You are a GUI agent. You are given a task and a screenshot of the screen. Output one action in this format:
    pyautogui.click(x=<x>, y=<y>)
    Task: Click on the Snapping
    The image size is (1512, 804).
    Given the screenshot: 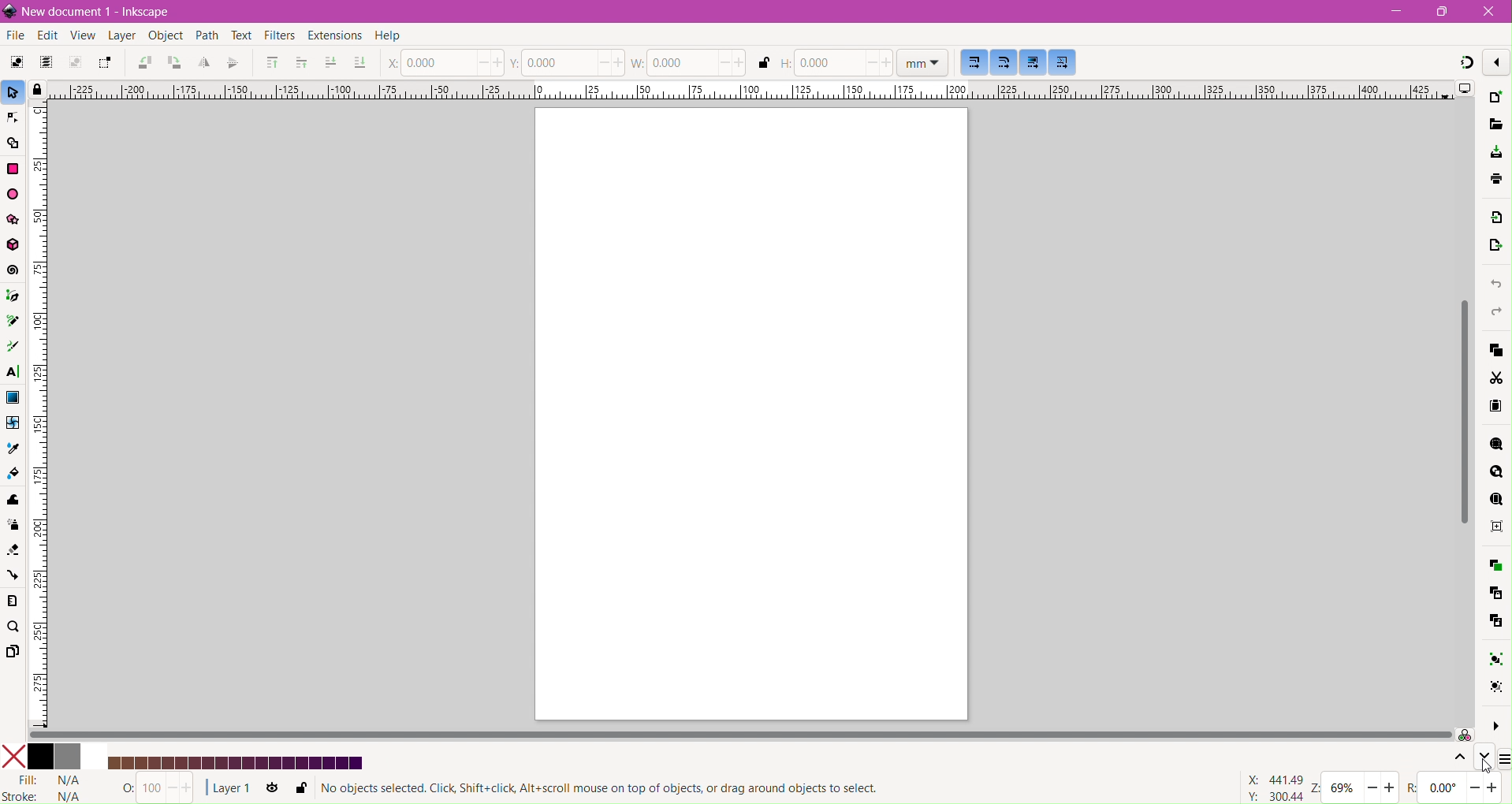 What is the action you would take?
    pyautogui.click(x=1466, y=65)
    